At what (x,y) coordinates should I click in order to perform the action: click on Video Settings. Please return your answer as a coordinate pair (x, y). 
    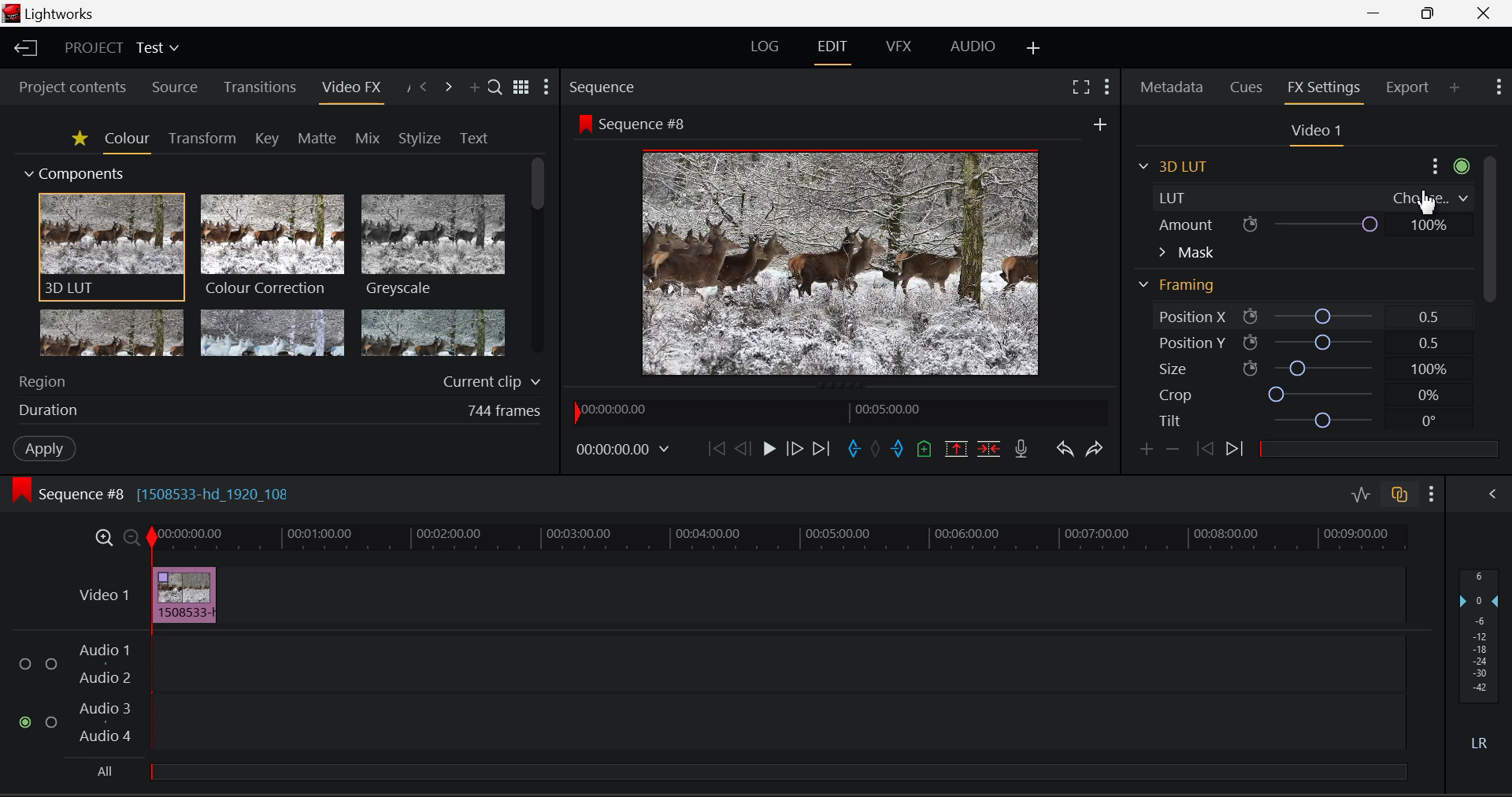
    Looking at the image, I should click on (1320, 135).